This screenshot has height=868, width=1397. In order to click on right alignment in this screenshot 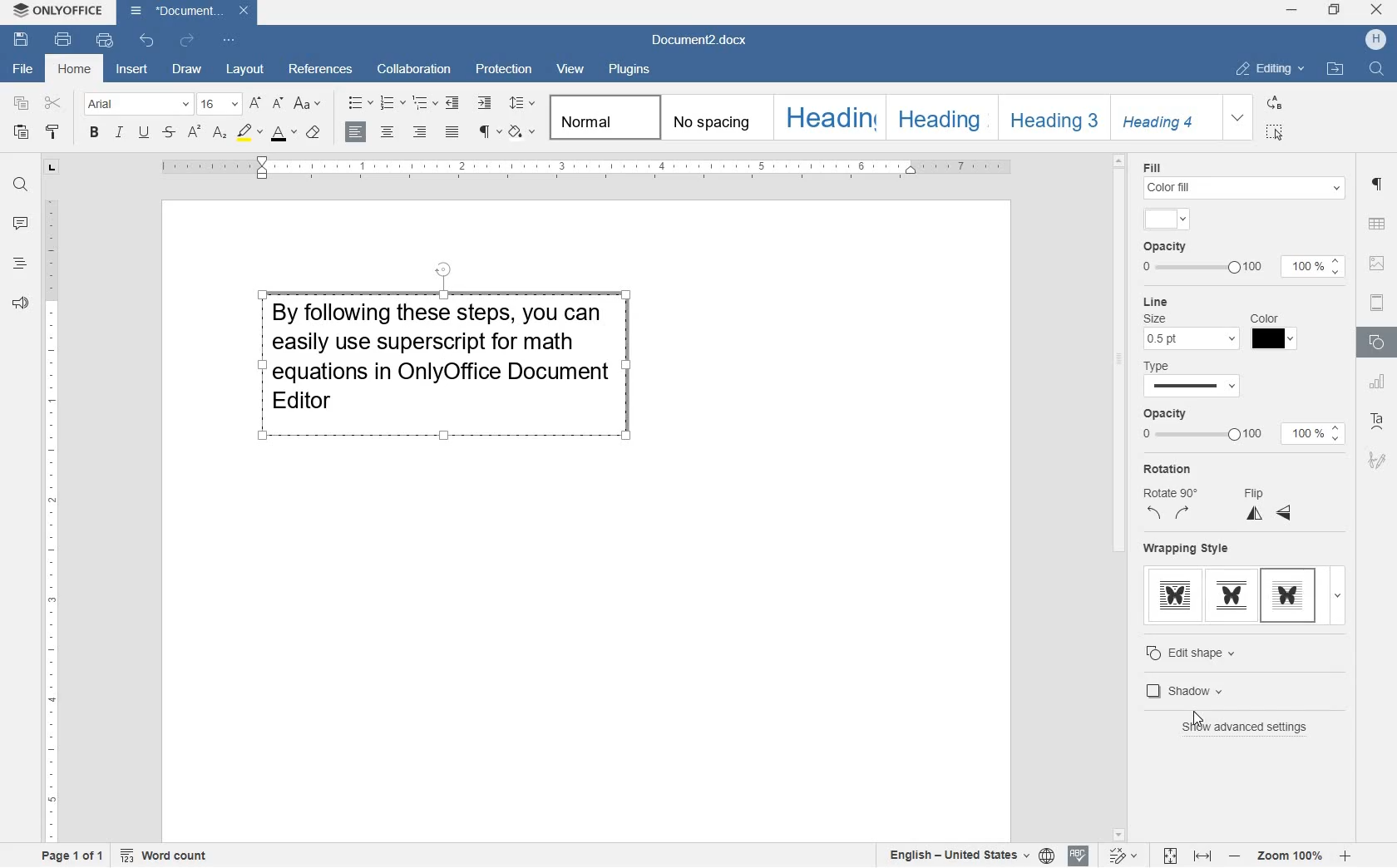, I will do `click(420, 133)`.